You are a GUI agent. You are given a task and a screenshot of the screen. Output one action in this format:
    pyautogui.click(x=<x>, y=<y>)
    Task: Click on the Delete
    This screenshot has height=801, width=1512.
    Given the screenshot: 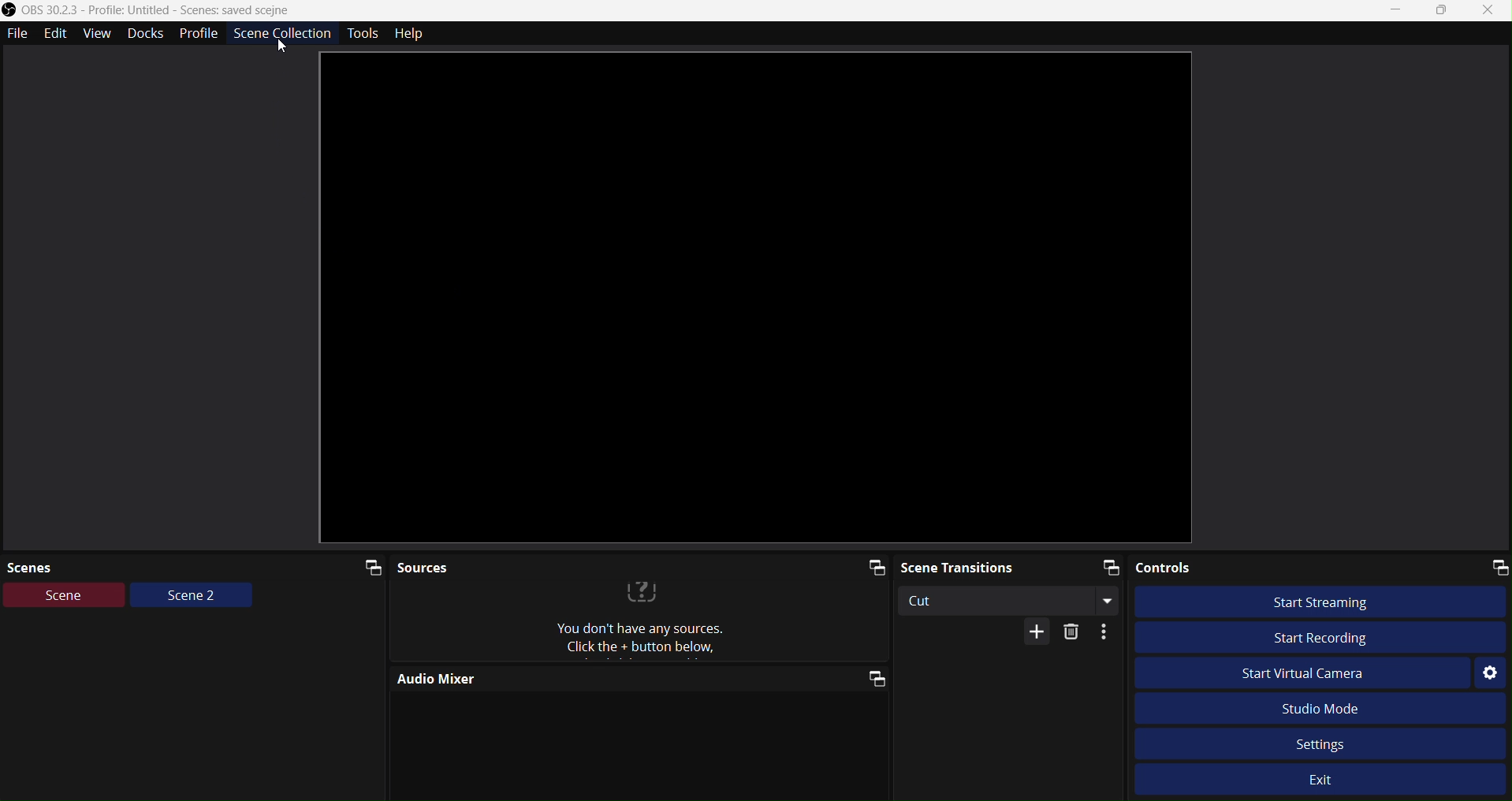 What is the action you would take?
    pyautogui.click(x=1071, y=633)
    